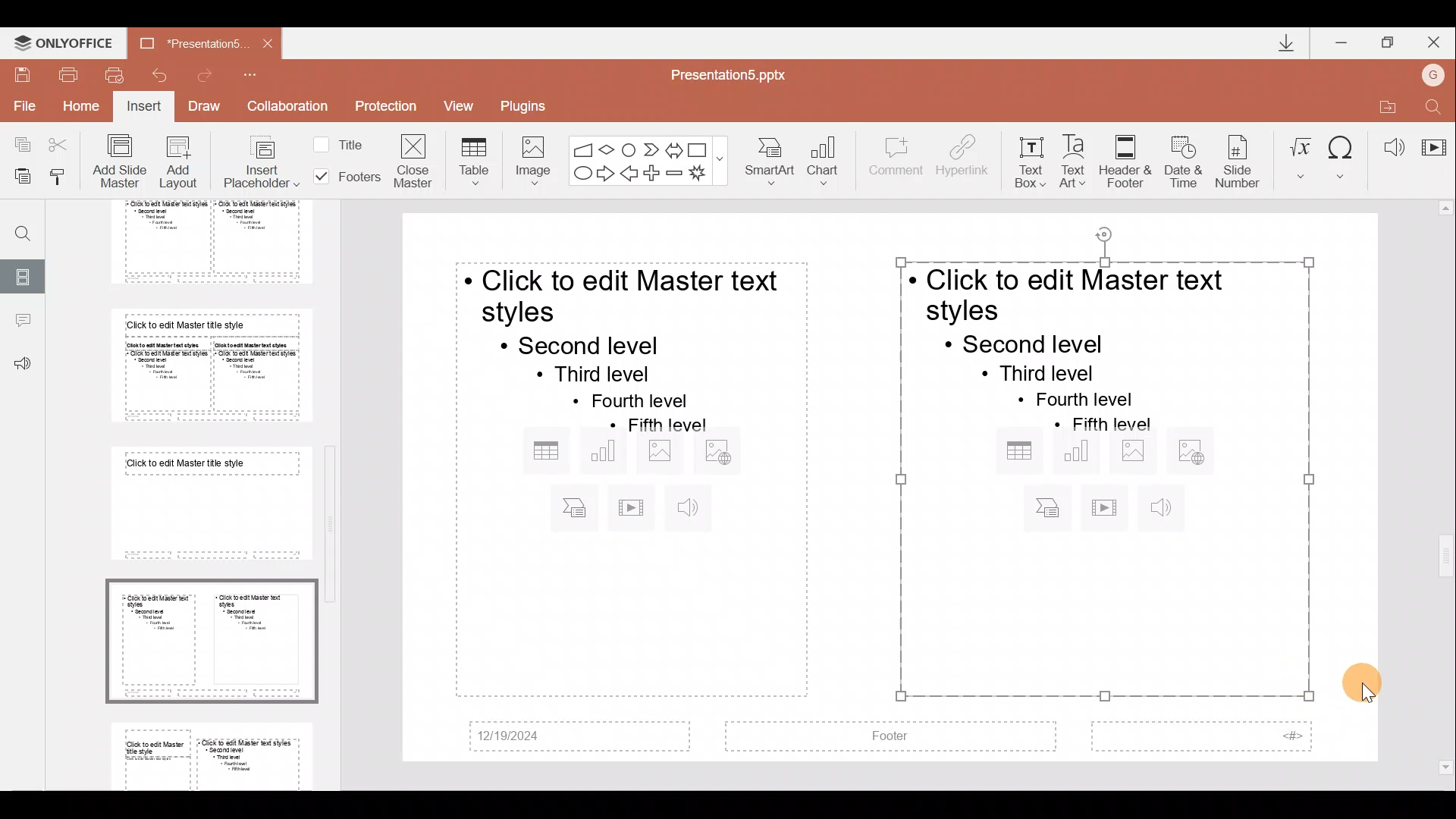 This screenshot has height=819, width=1456. I want to click on Flowchart-connector, so click(629, 146).